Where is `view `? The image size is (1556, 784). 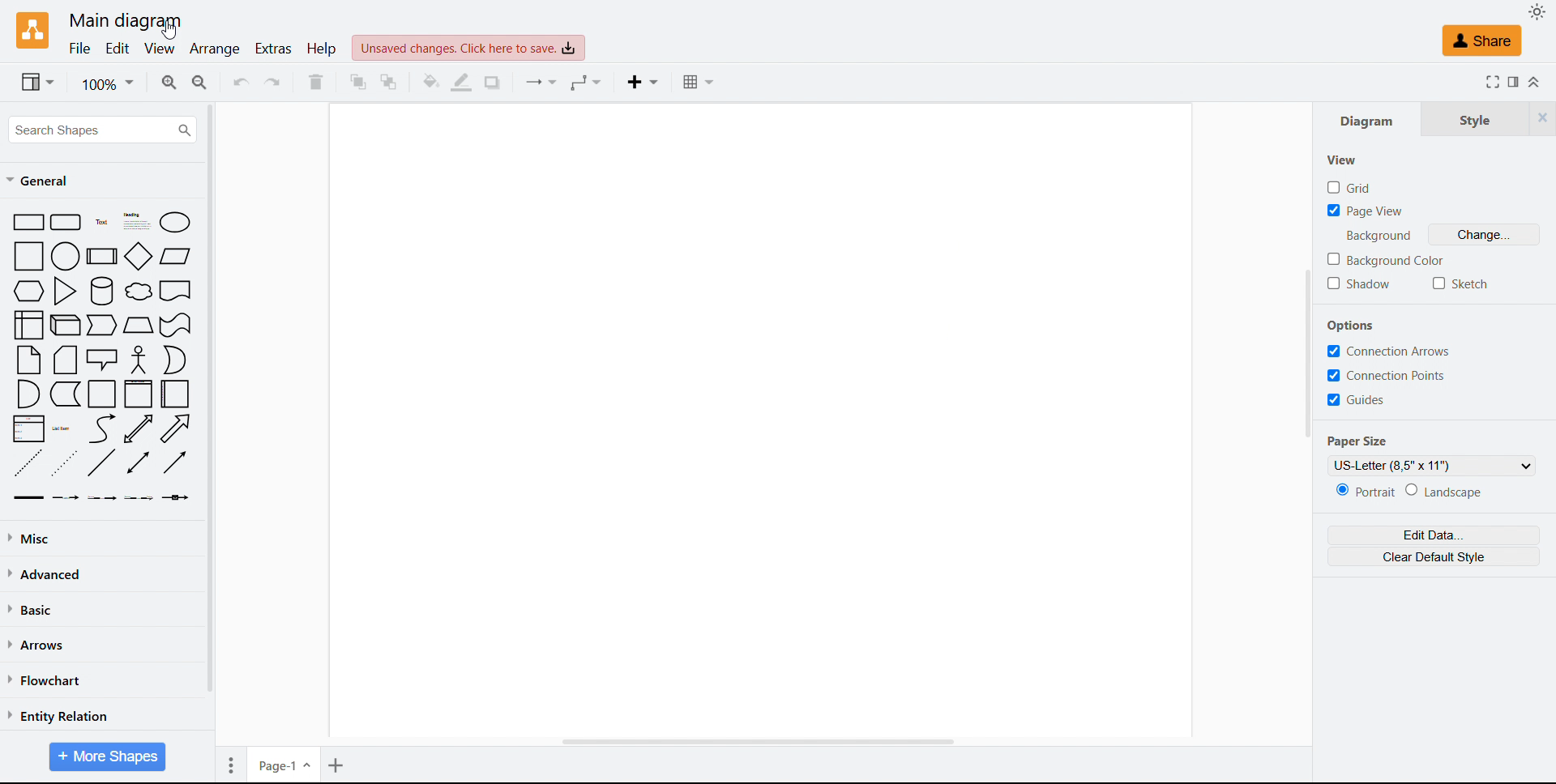 view  is located at coordinates (37, 81).